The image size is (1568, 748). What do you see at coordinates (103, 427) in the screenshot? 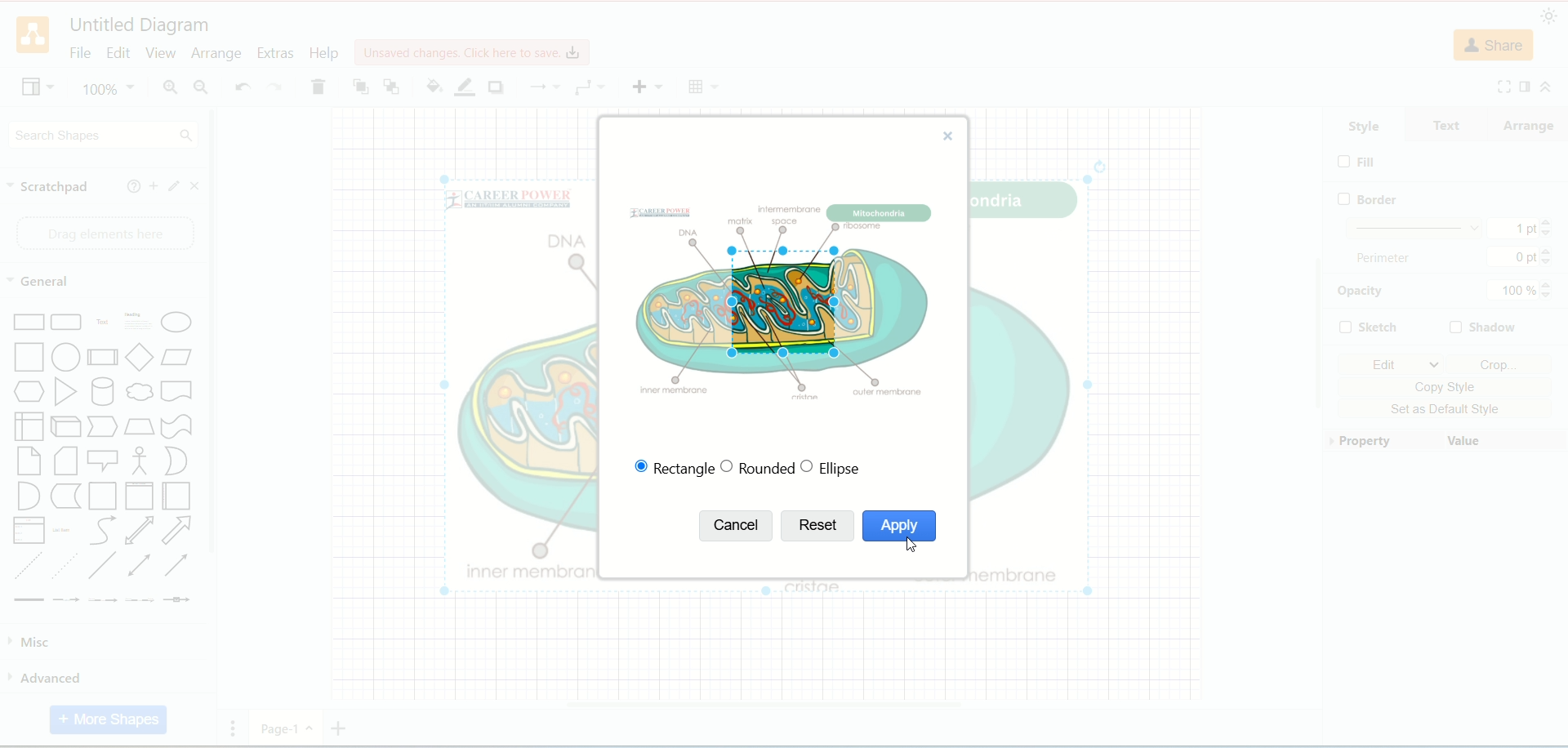
I see `Step` at bounding box center [103, 427].